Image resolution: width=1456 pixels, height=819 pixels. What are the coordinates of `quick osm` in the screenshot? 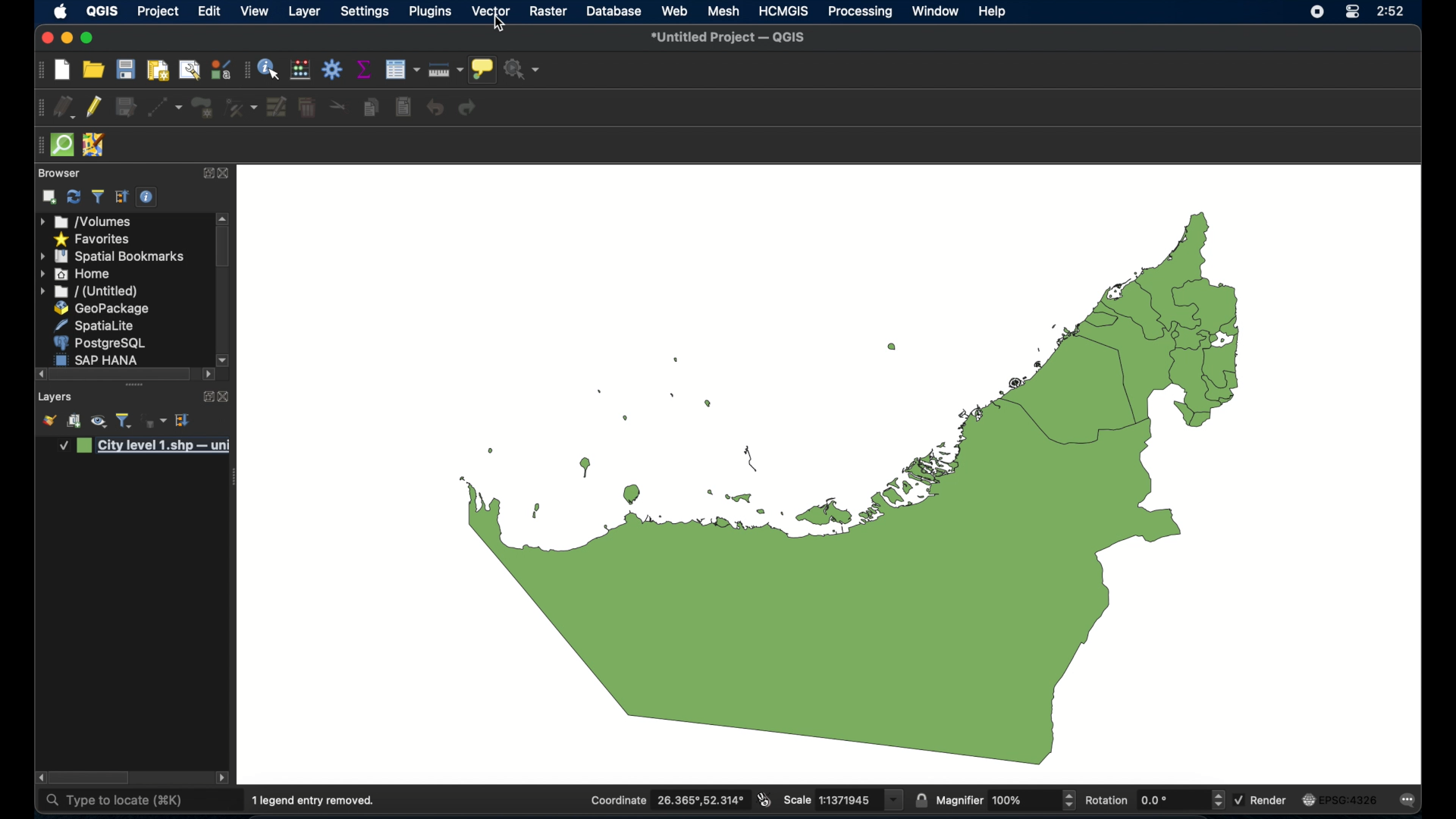 It's located at (61, 145).